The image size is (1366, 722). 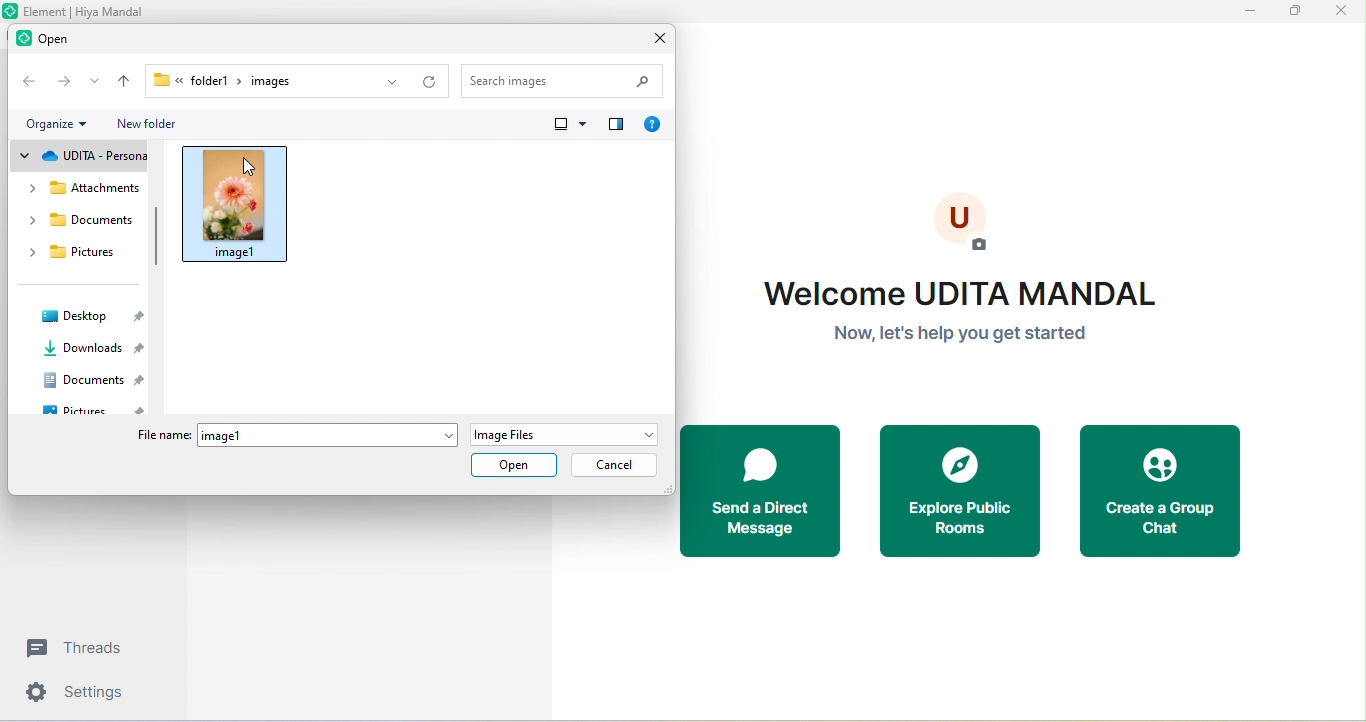 What do you see at coordinates (92, 410) in the screenshot?
I see `pictures` at bounding box center [92, 410].